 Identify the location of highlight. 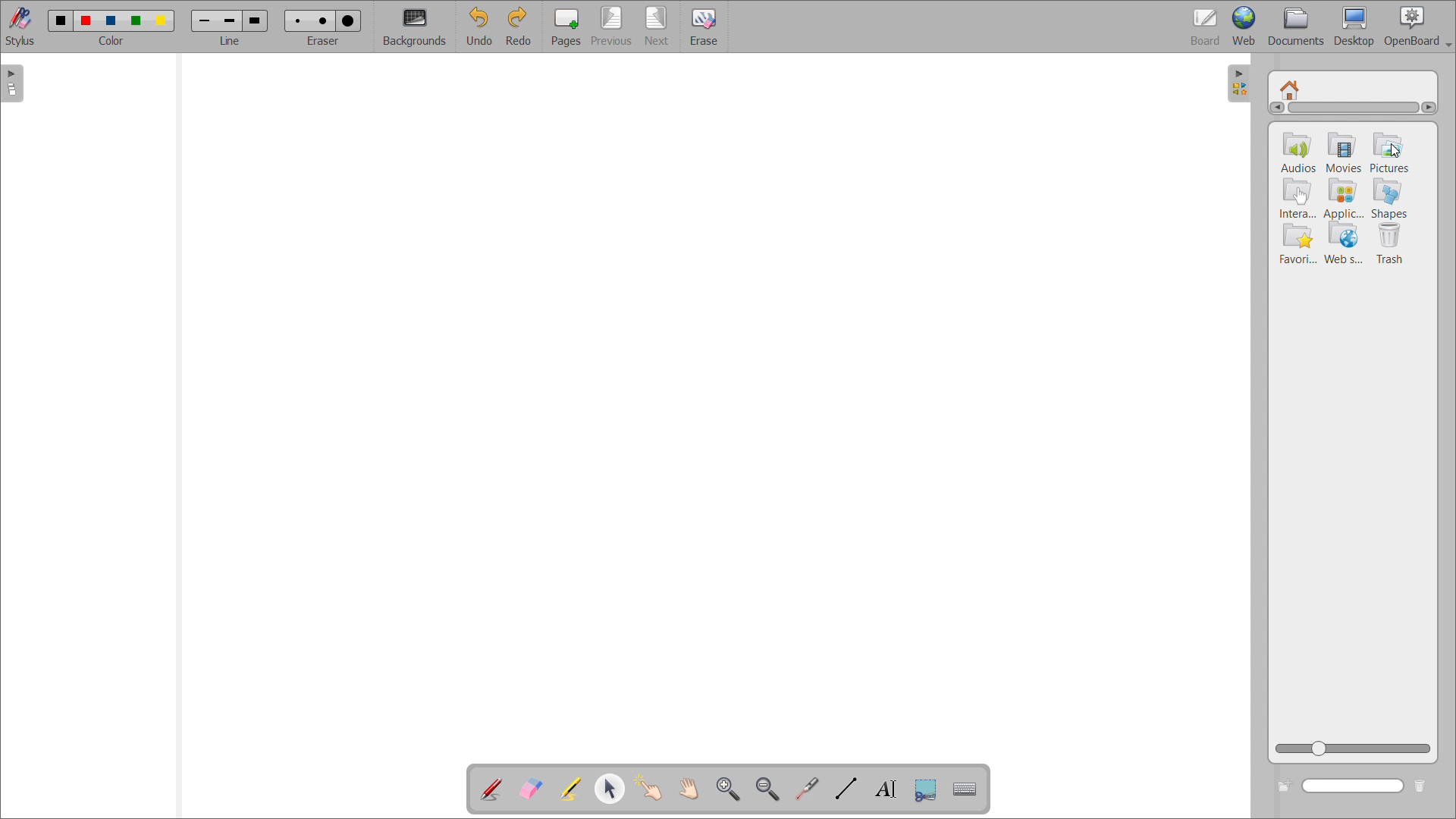
(571, 790).